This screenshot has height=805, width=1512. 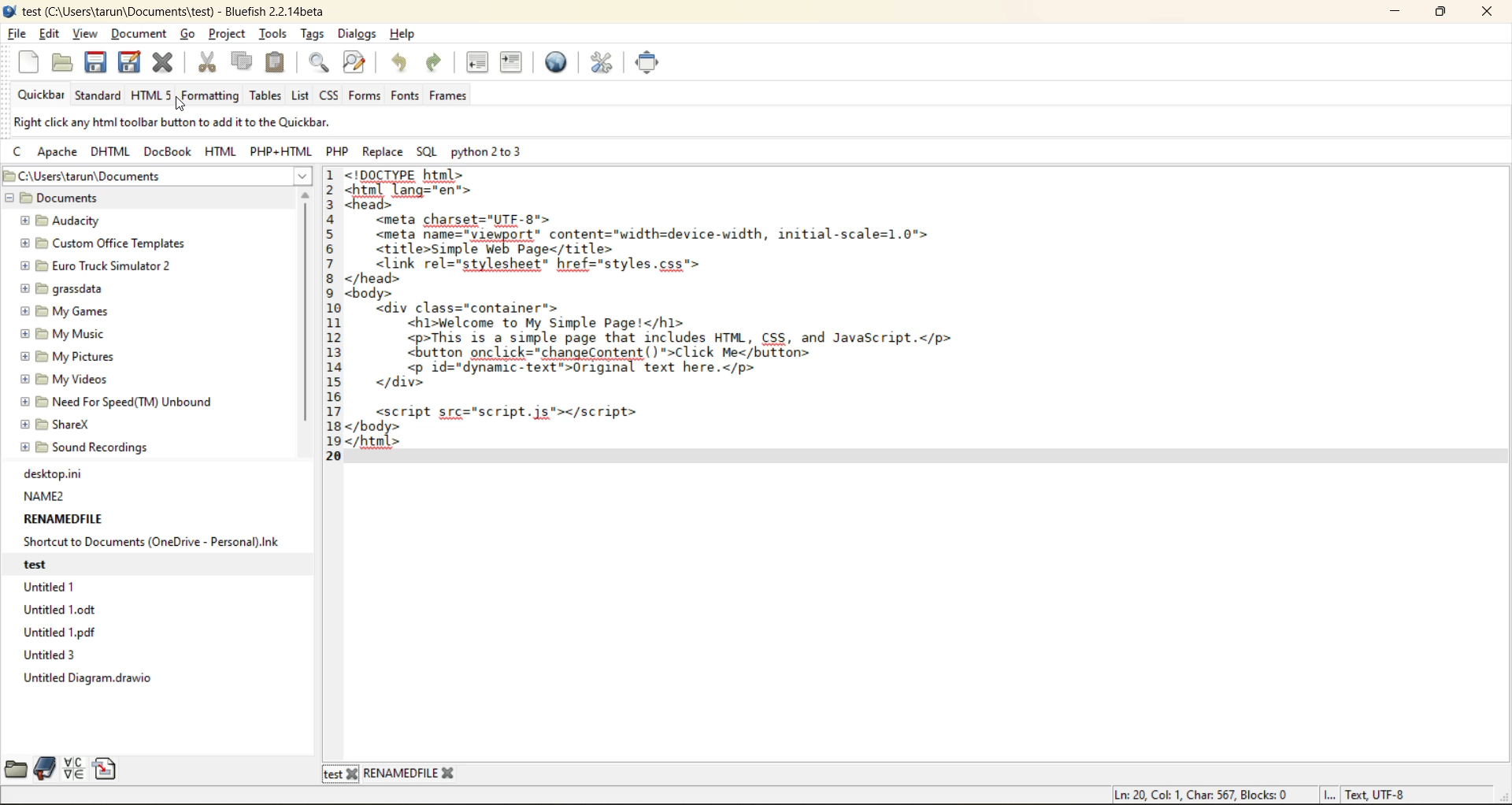 I want to click on edit, so click(x=51, y=35).